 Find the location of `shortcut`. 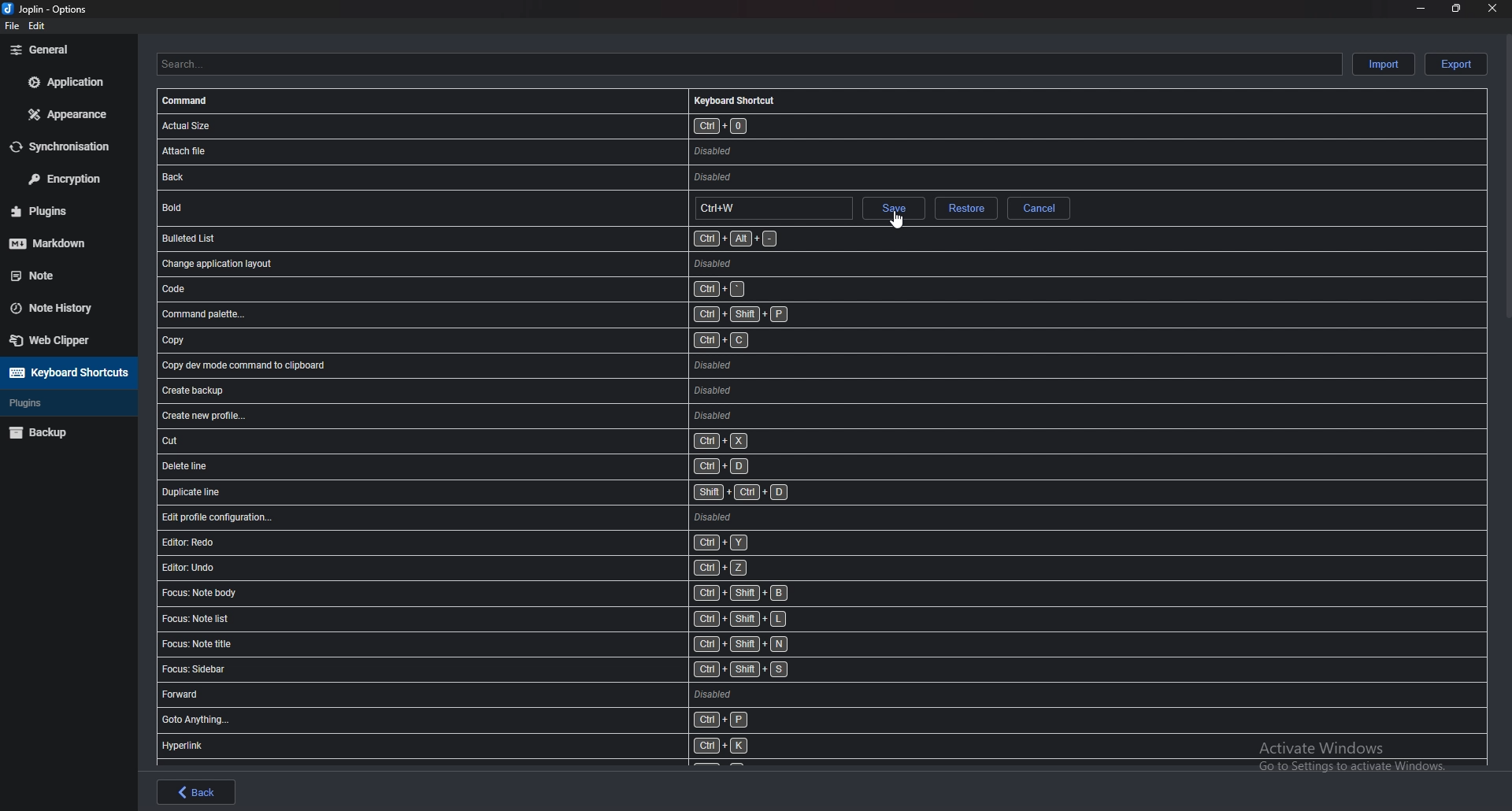

shortcut is located at coordinates (476, 238).